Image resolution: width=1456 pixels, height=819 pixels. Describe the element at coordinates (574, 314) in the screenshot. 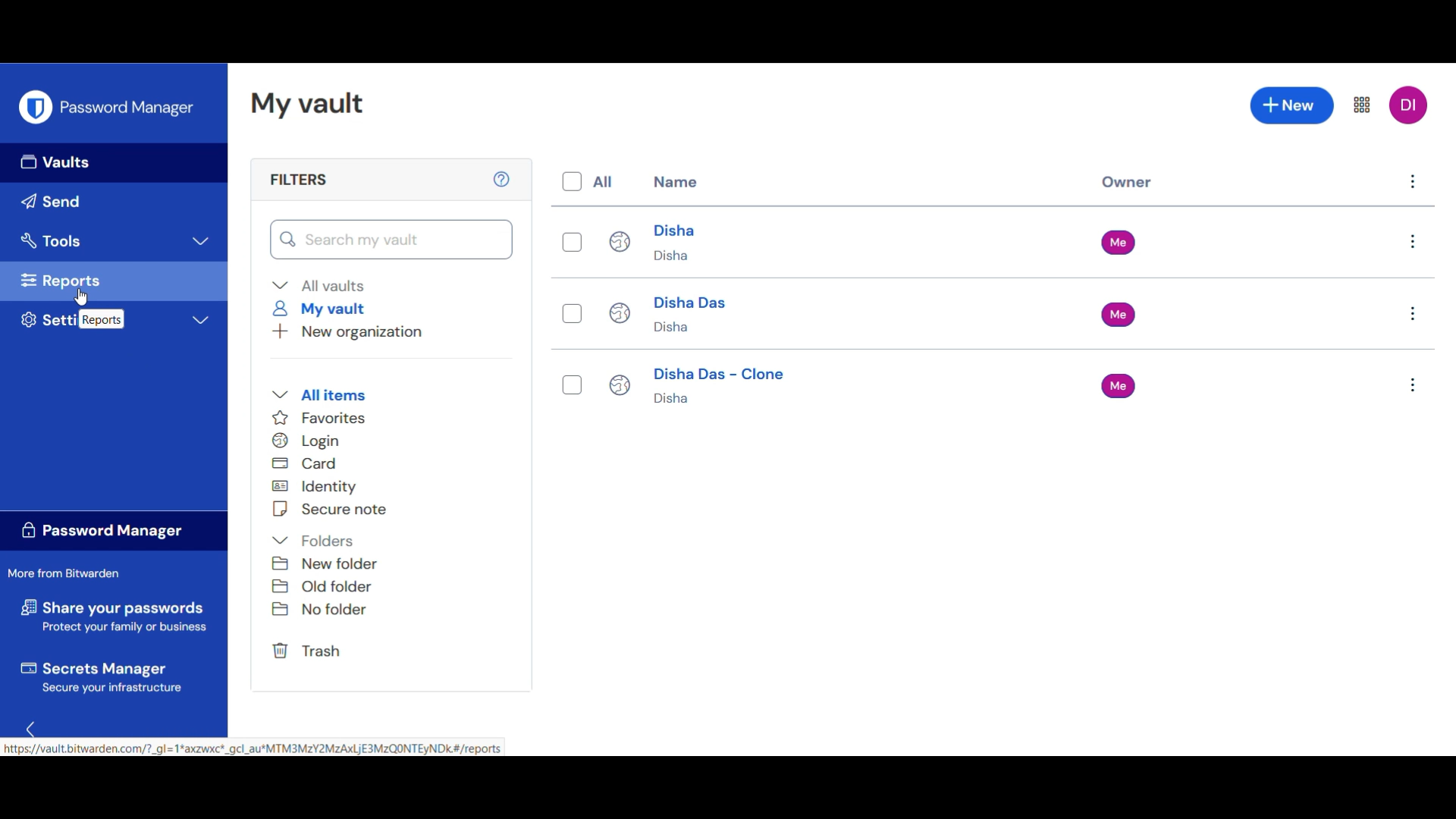

I see `select checkbox` at that location.